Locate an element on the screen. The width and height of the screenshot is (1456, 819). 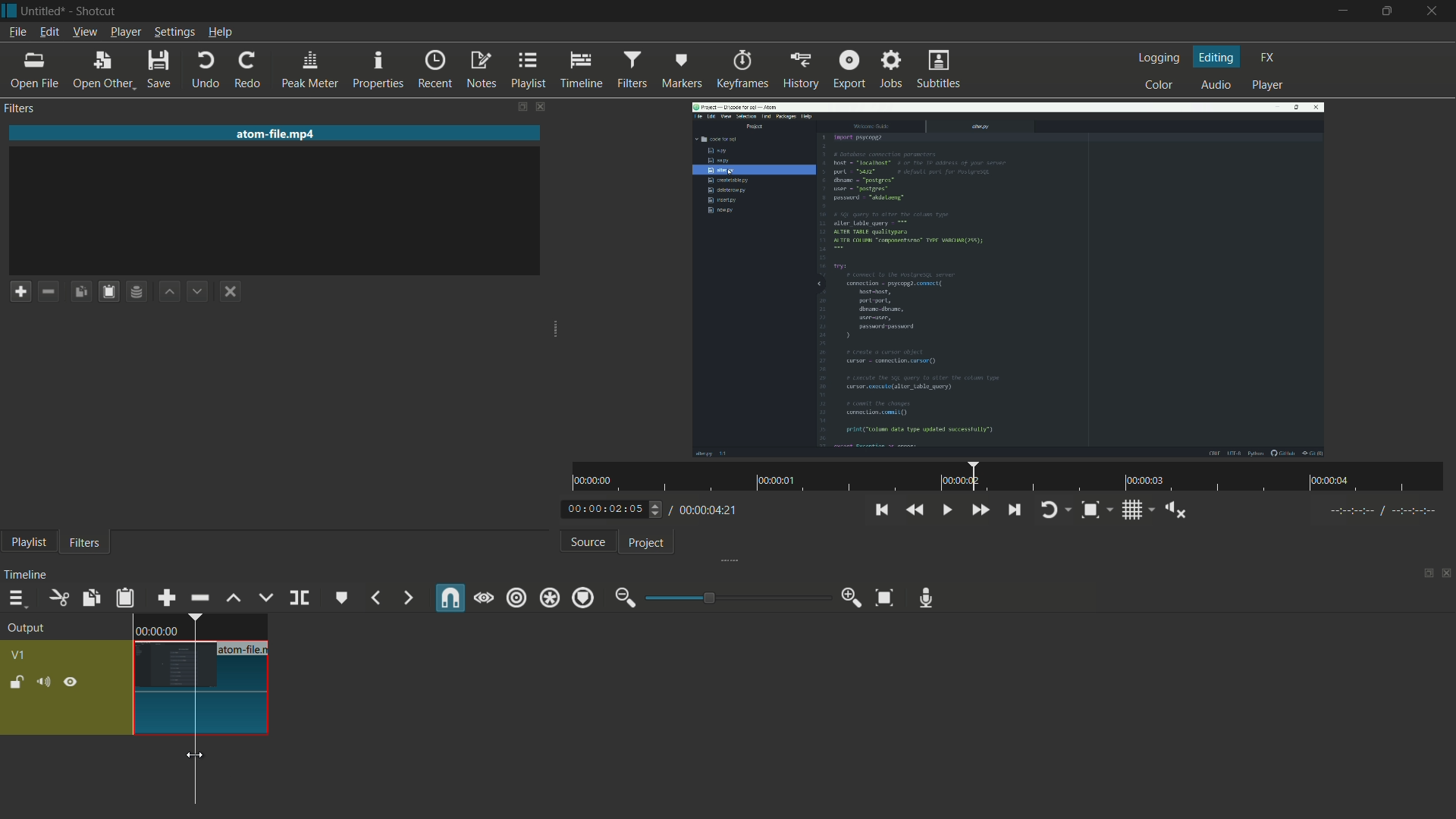
ripple delete is located at coordinates (199, 598).